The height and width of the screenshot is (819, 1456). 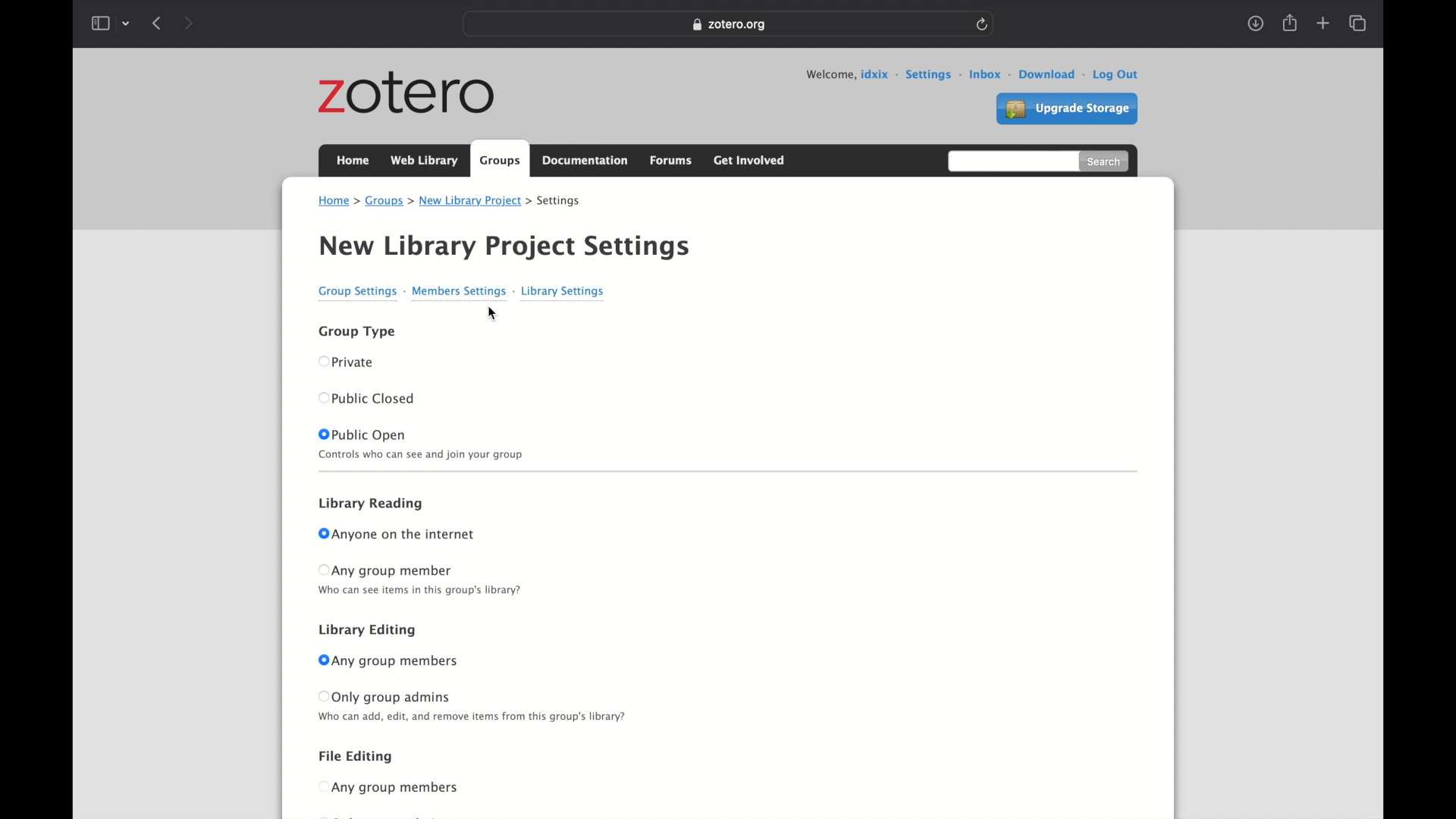 I want to click on button, so click(x=322, y=398).